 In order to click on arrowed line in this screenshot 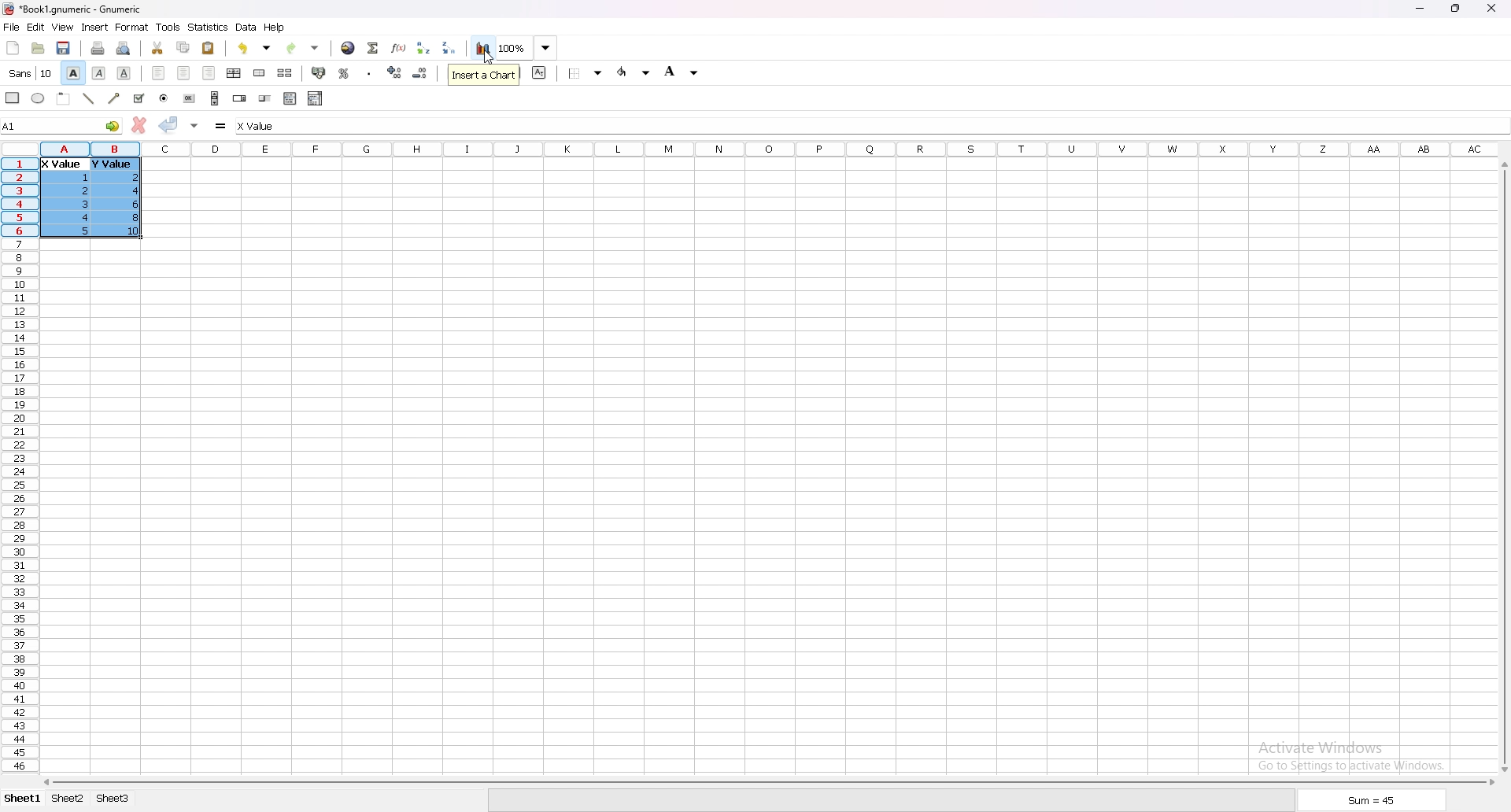, I will do `click(115, 98)`.